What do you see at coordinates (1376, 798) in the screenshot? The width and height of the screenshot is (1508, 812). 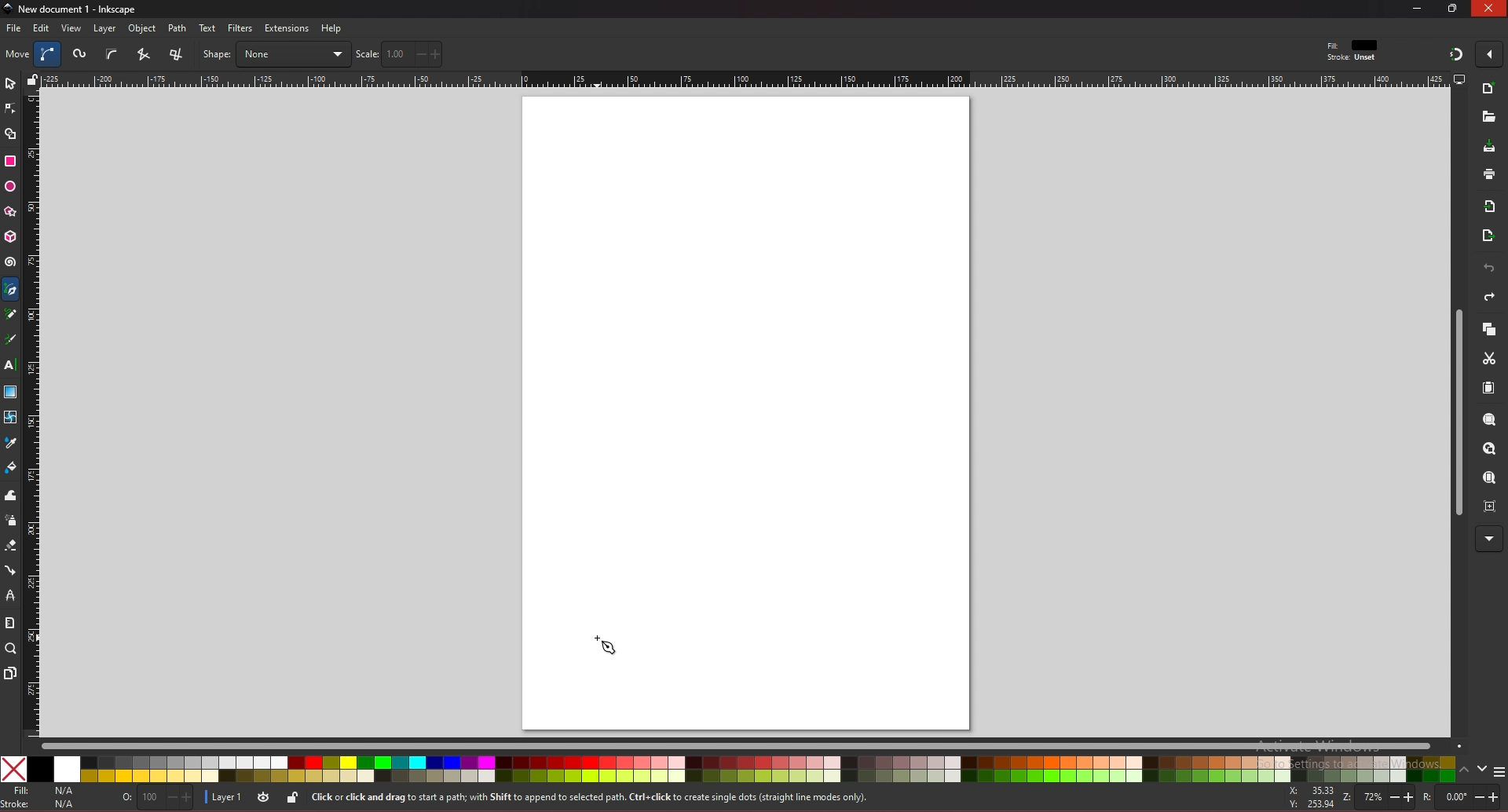 I see `zoom` at bounding box center [1376, 798].